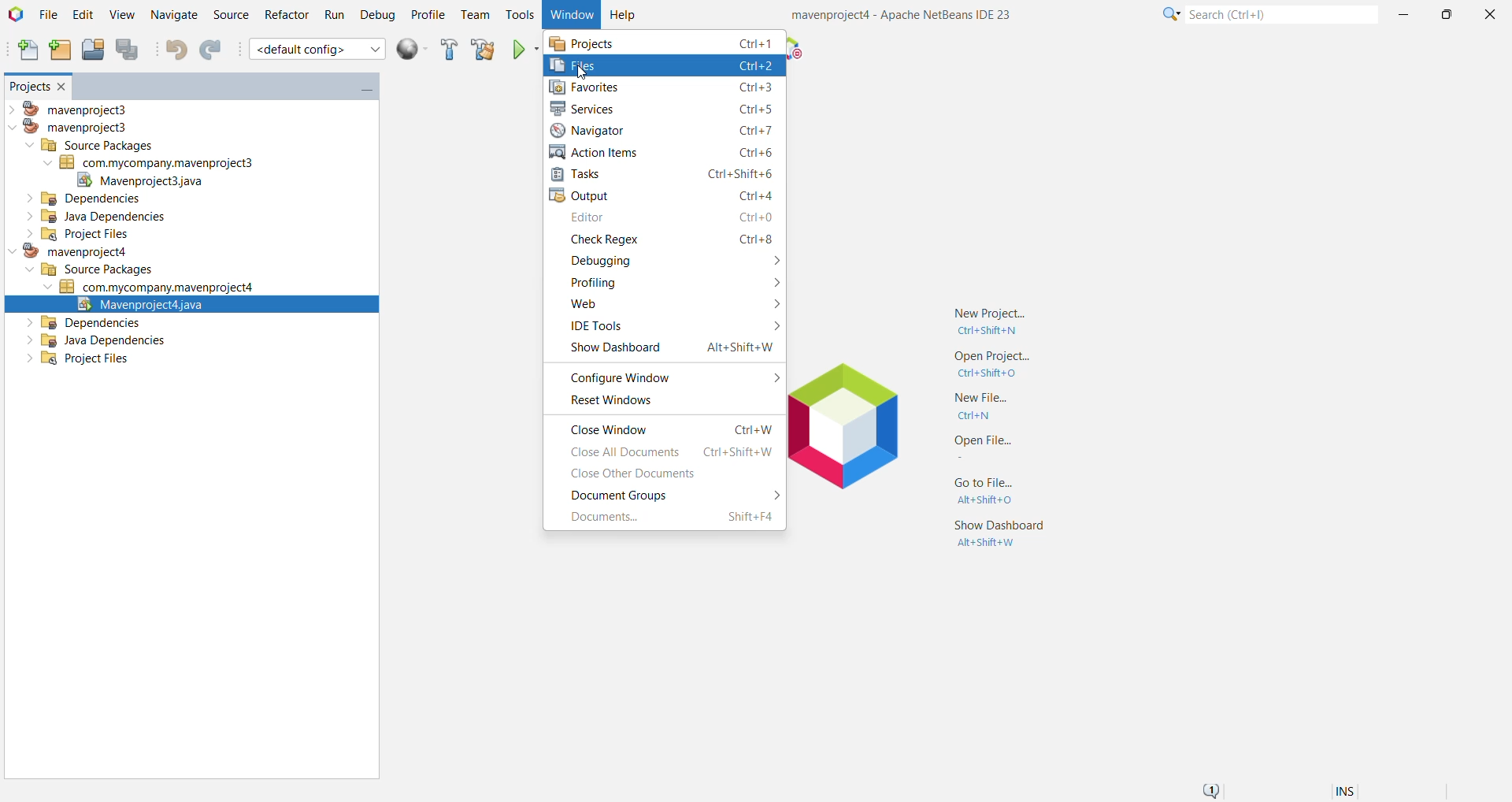 This screenshot has width=1512, height=802. Describe the element at coordinates (670, 282) in the screenshot. I see `Profiling` at that location.